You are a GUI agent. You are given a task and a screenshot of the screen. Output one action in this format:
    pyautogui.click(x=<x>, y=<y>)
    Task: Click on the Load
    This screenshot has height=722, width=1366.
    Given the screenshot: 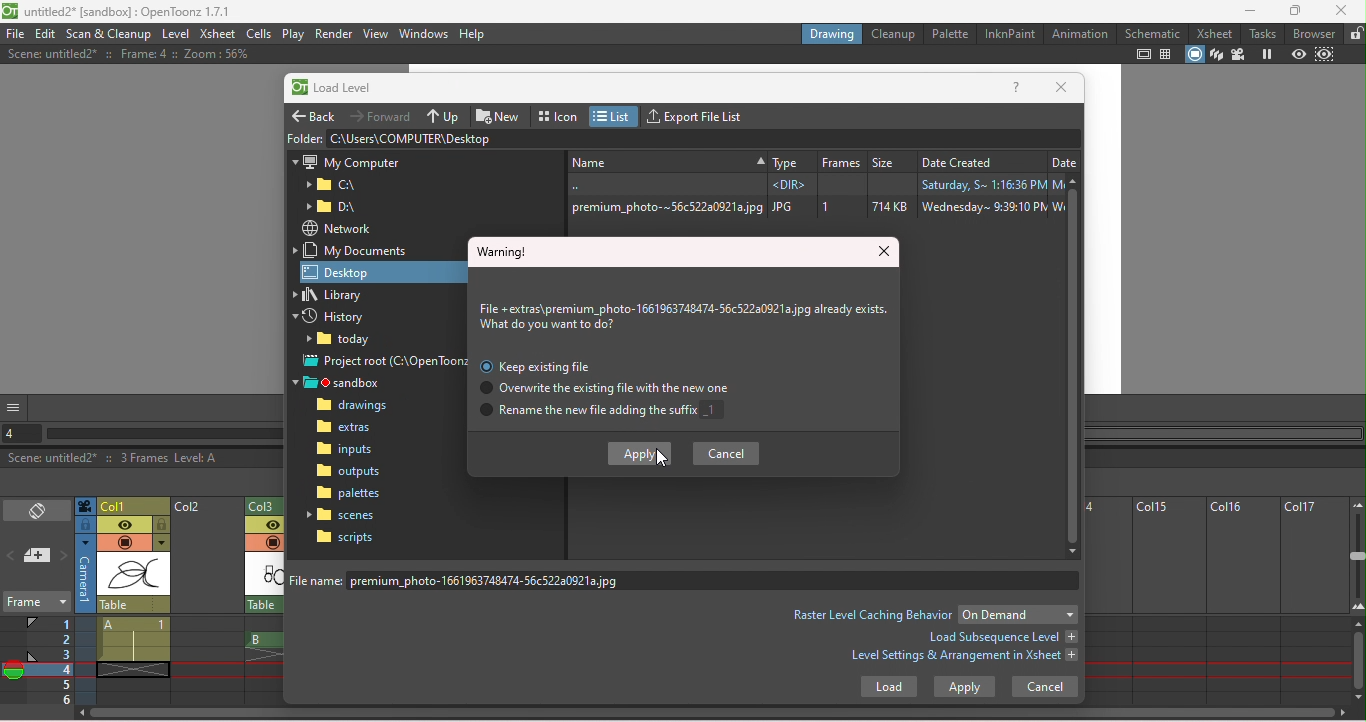 What is the action you would take?
    pyautogui.click(x=888, y=689)
    